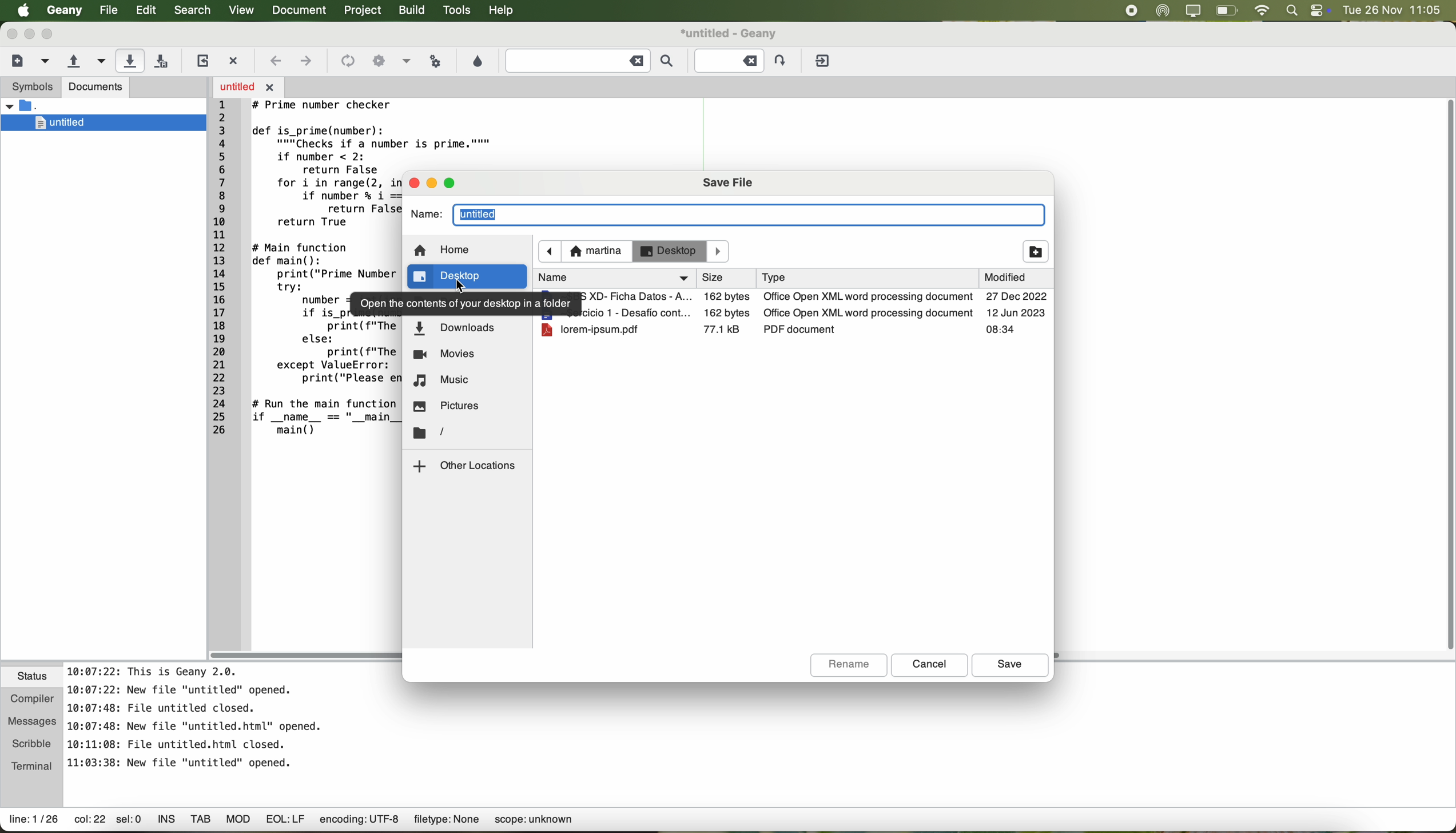  I want to click on document, so click(303, 11).